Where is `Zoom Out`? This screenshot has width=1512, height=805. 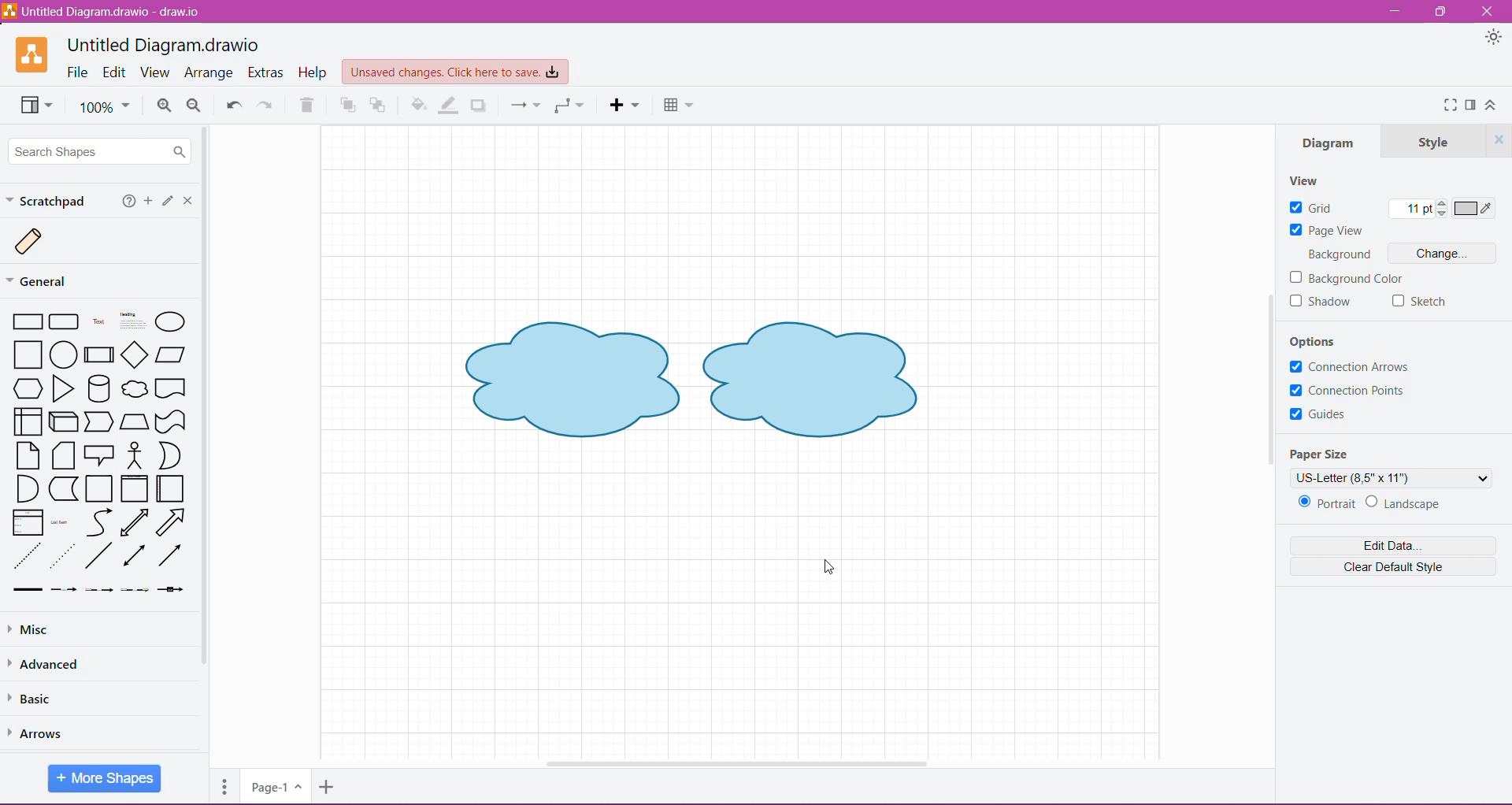
Zoom Out is located at coordinates (195, 106).